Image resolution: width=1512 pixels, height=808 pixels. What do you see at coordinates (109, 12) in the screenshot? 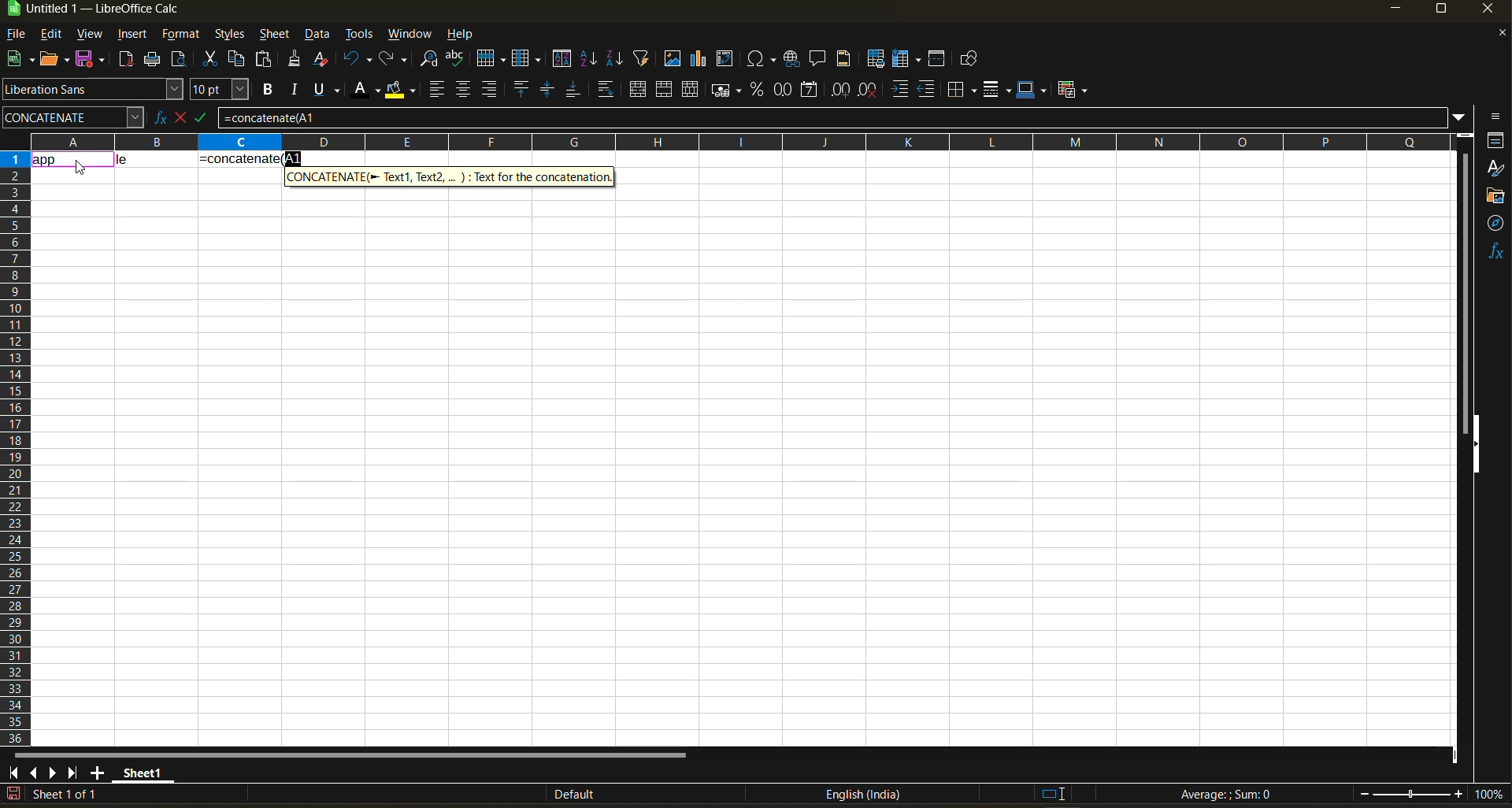
I see `app name and file name` at bounding box center [109, 12].